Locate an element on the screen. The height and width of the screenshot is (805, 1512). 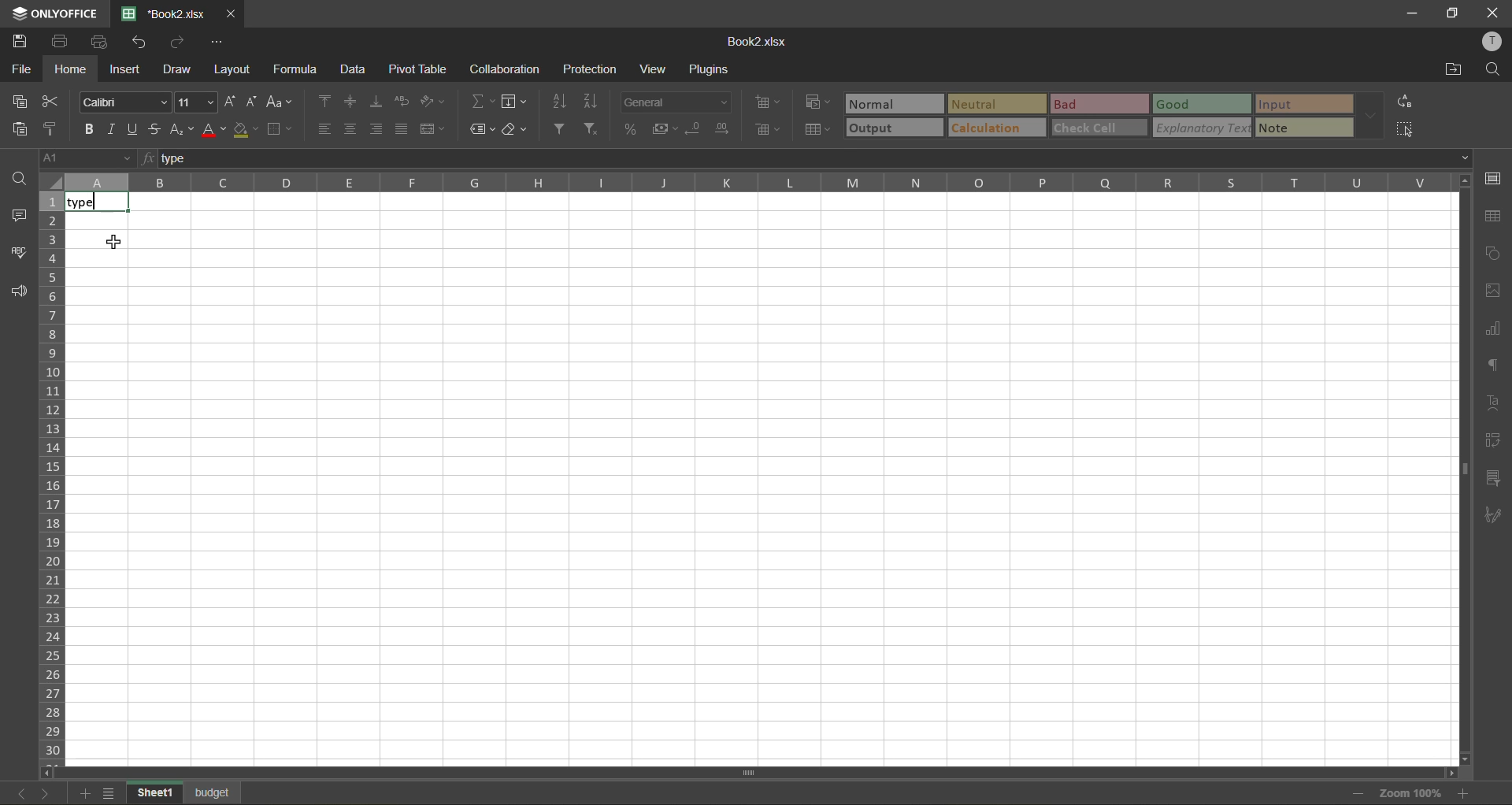
next is located at coordinates (44, 793).